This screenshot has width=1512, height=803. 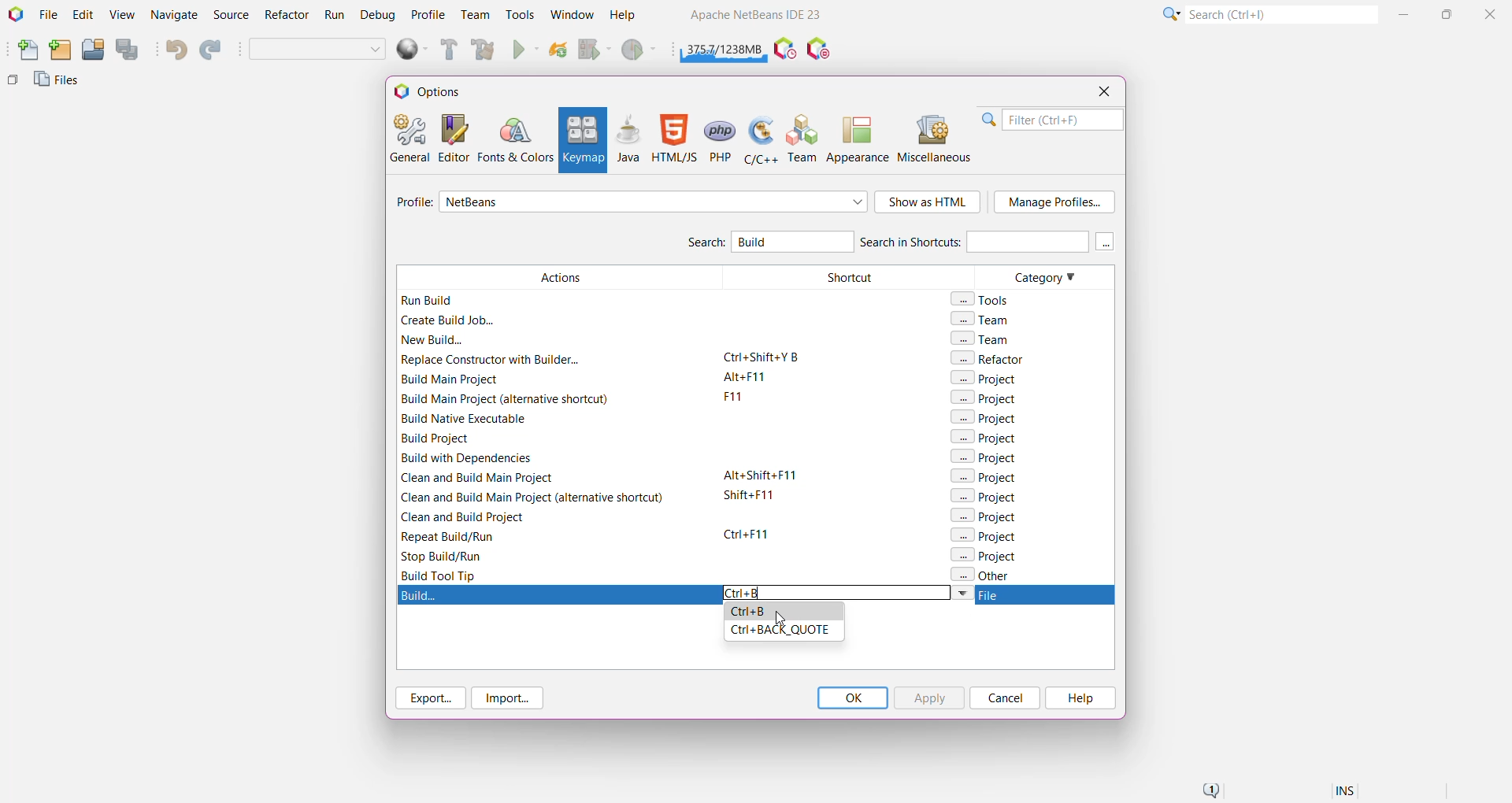 What do you see at coordinates (1030, 424) in the screenshot?
I see `Category` at bounding box center [1030, 424].